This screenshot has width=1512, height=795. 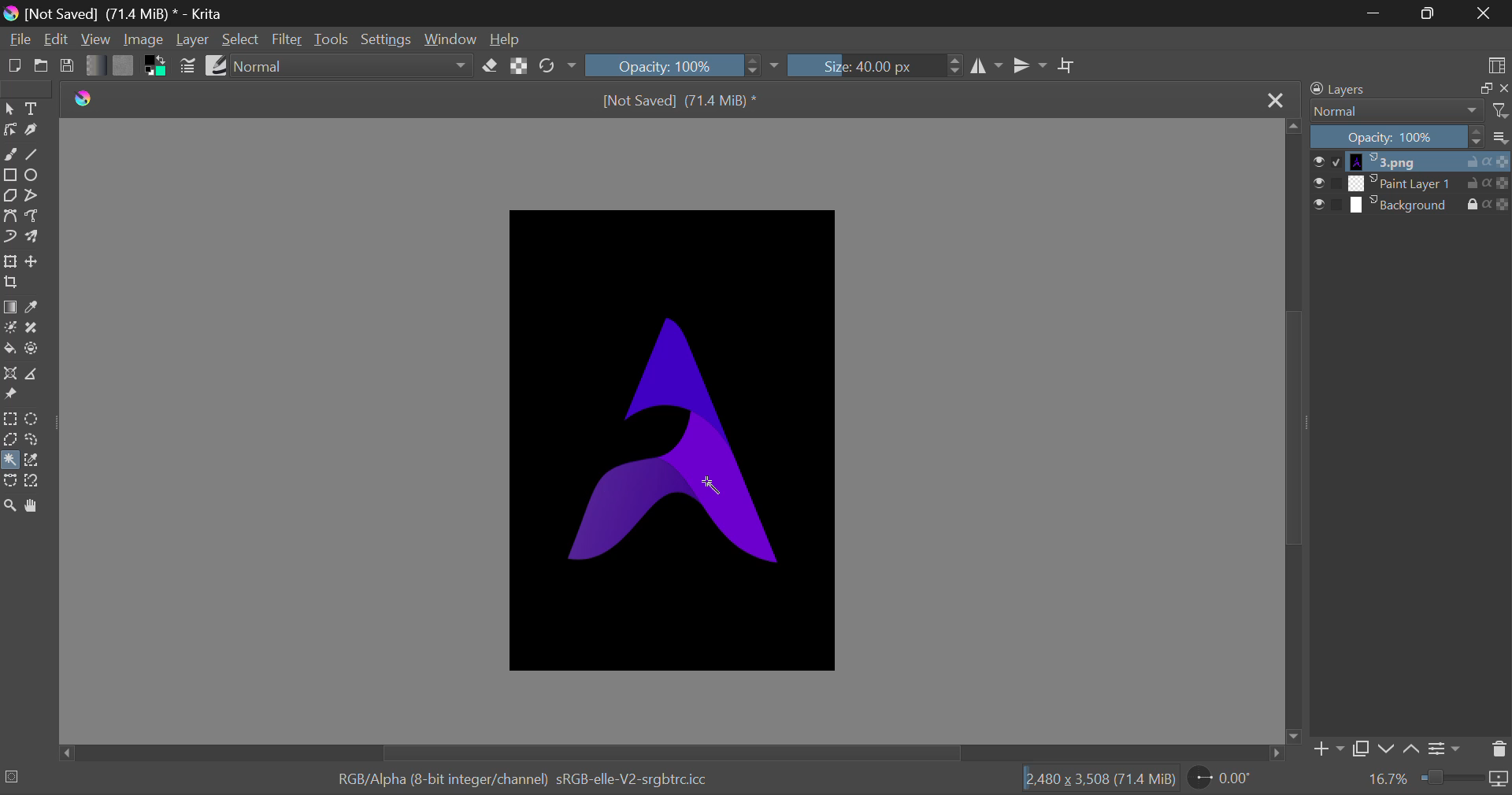 What do you see at coordinates (491, 66) in the screenshot?
I see `Erase` at bounding box center [491, 66].